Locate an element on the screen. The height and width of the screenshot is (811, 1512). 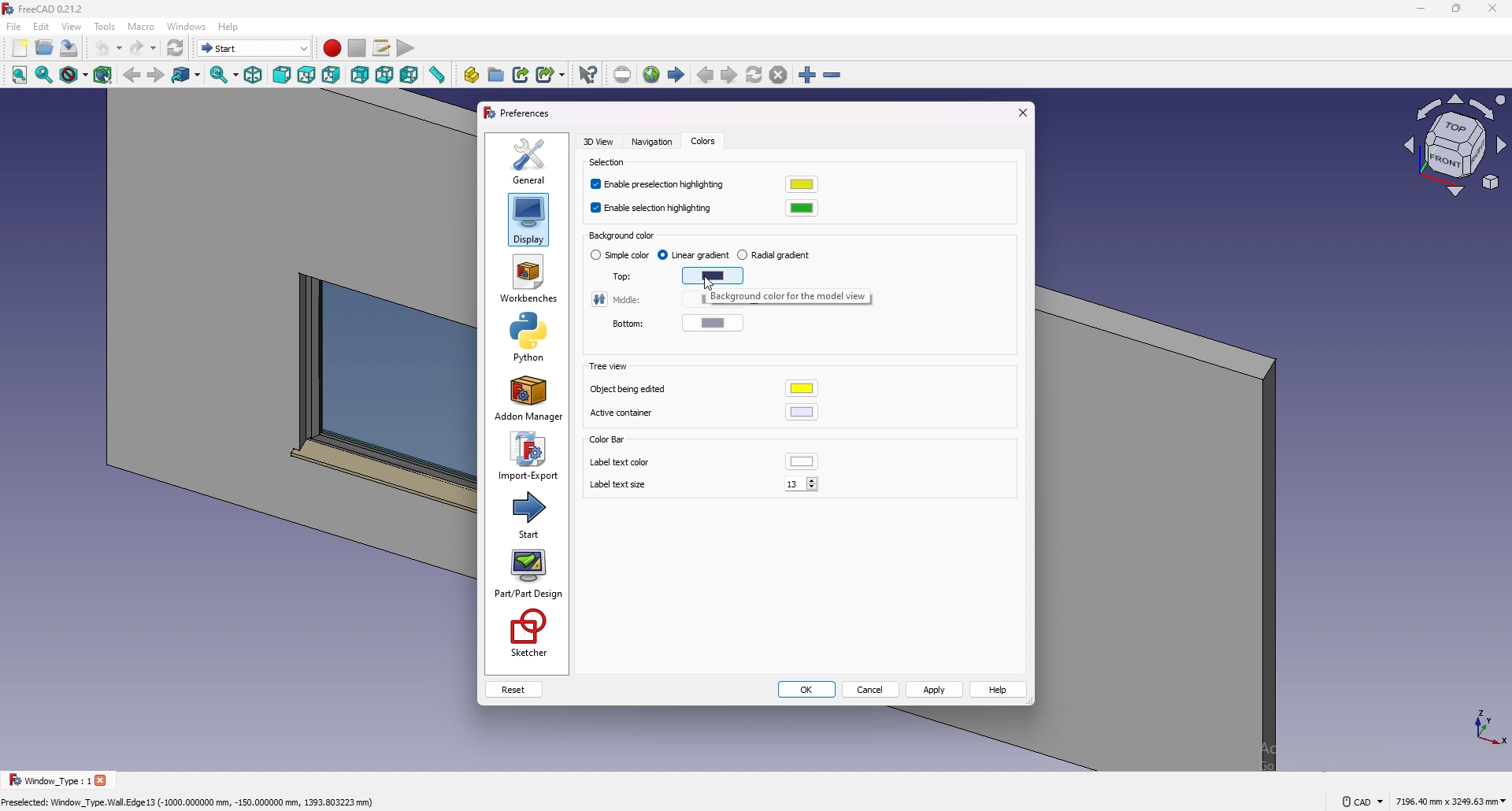
tourus is located at coordinates (1480, 726).